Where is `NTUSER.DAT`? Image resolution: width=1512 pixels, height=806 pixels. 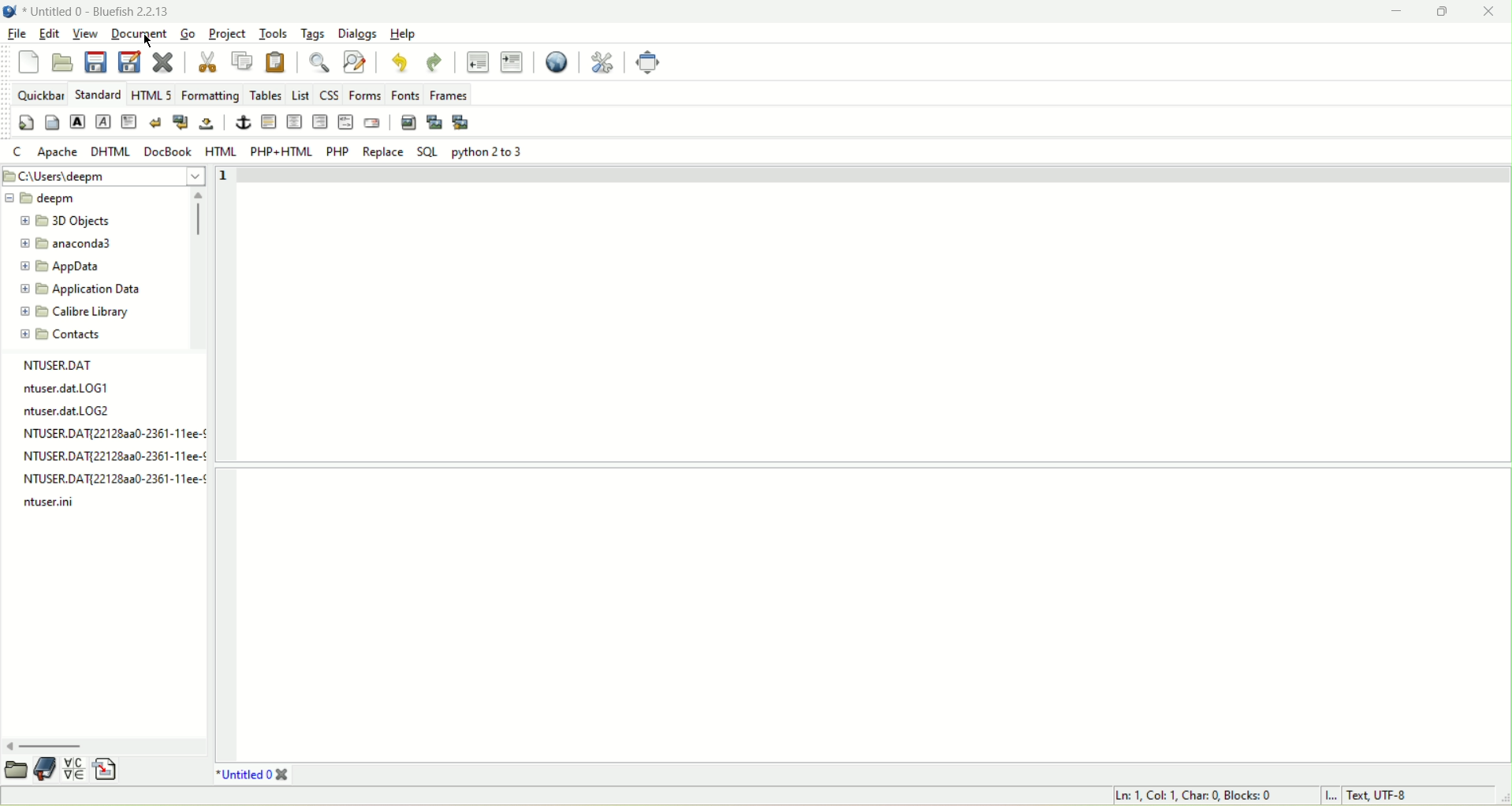
NTUSER.DAT is located at coordinates (59, 364).